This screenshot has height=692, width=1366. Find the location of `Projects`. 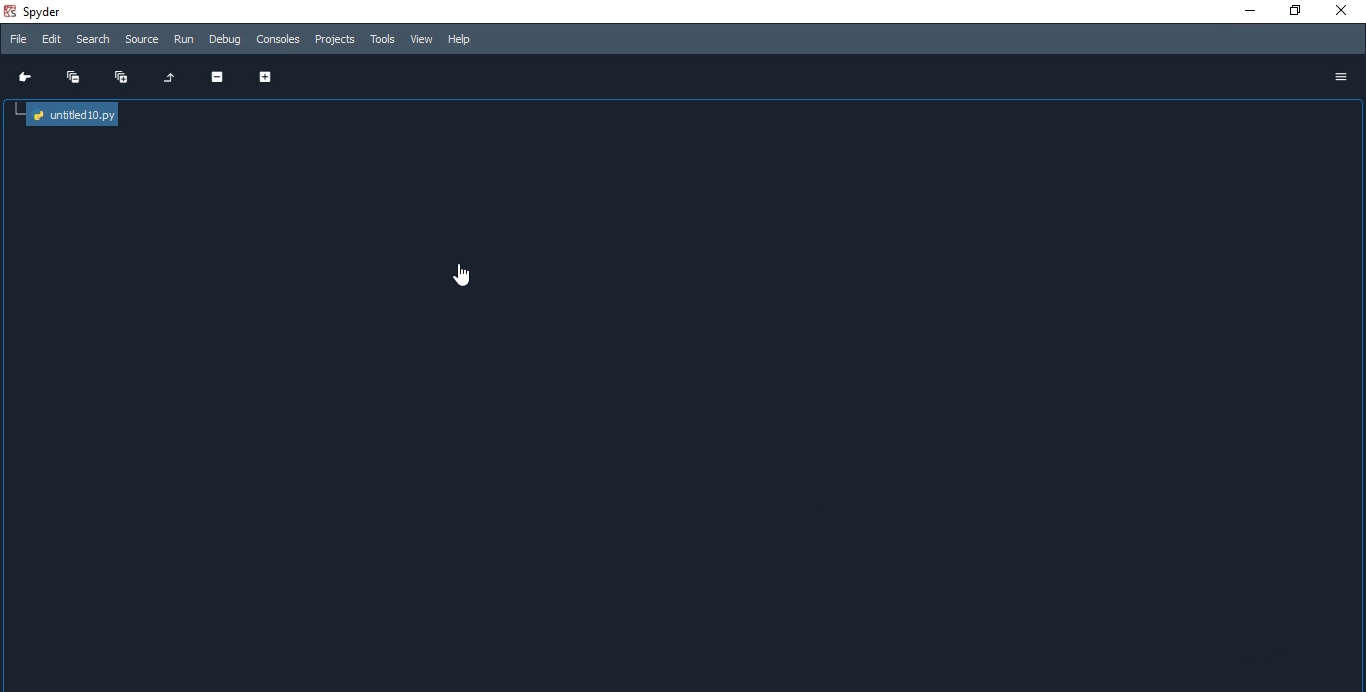

Projects is located at coordinates (334, 40).